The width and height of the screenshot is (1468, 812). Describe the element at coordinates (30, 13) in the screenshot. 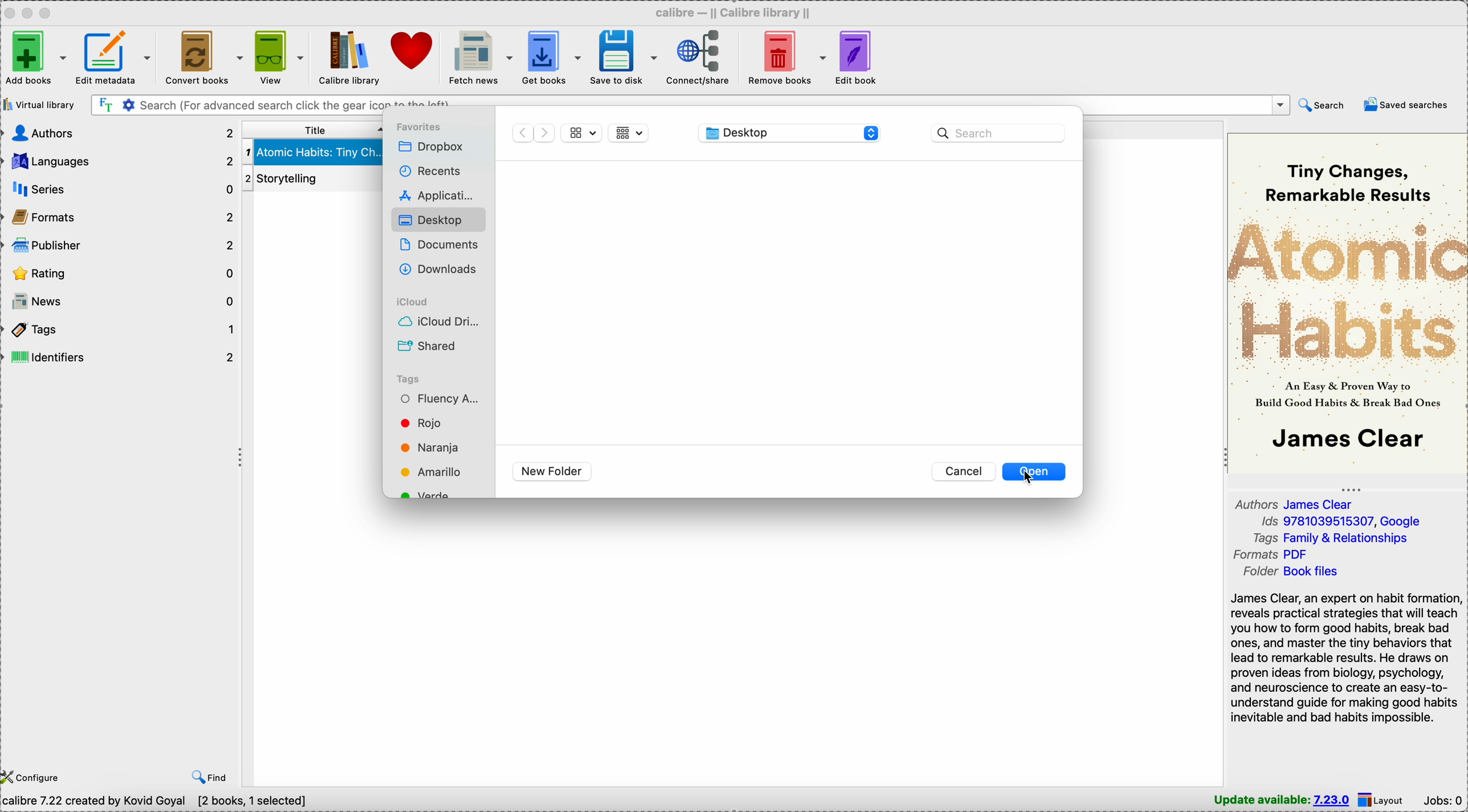

I see `minimize Calibre` at that location.